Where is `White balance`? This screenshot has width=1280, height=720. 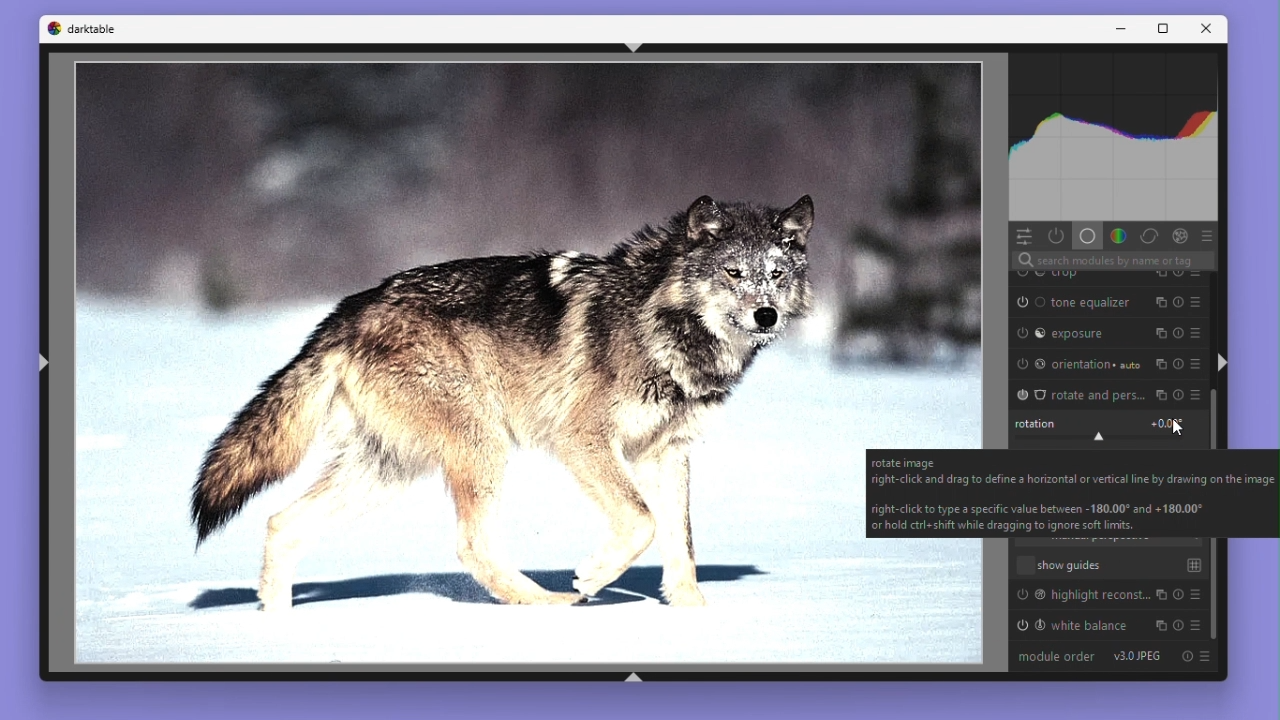
White balance is located at coordinates (1109, 626).